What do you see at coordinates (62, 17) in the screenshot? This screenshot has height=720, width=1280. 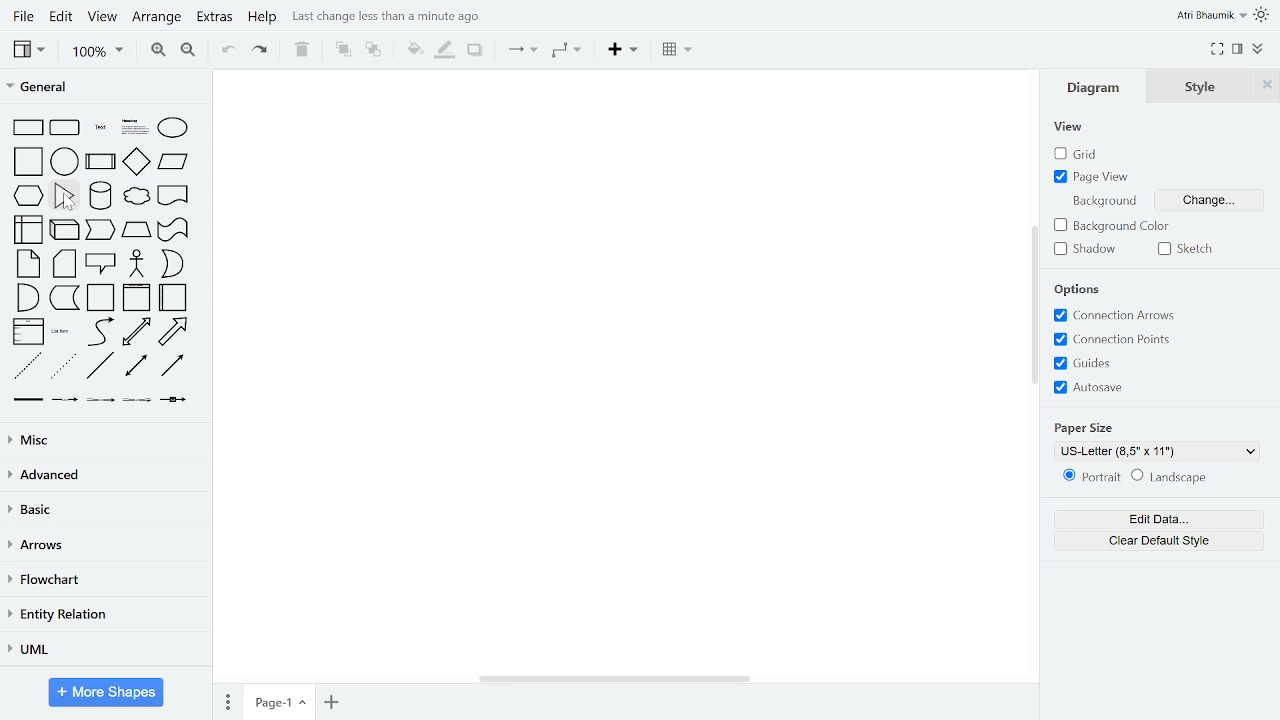 I see `edit` at bounding box center [62, 17].